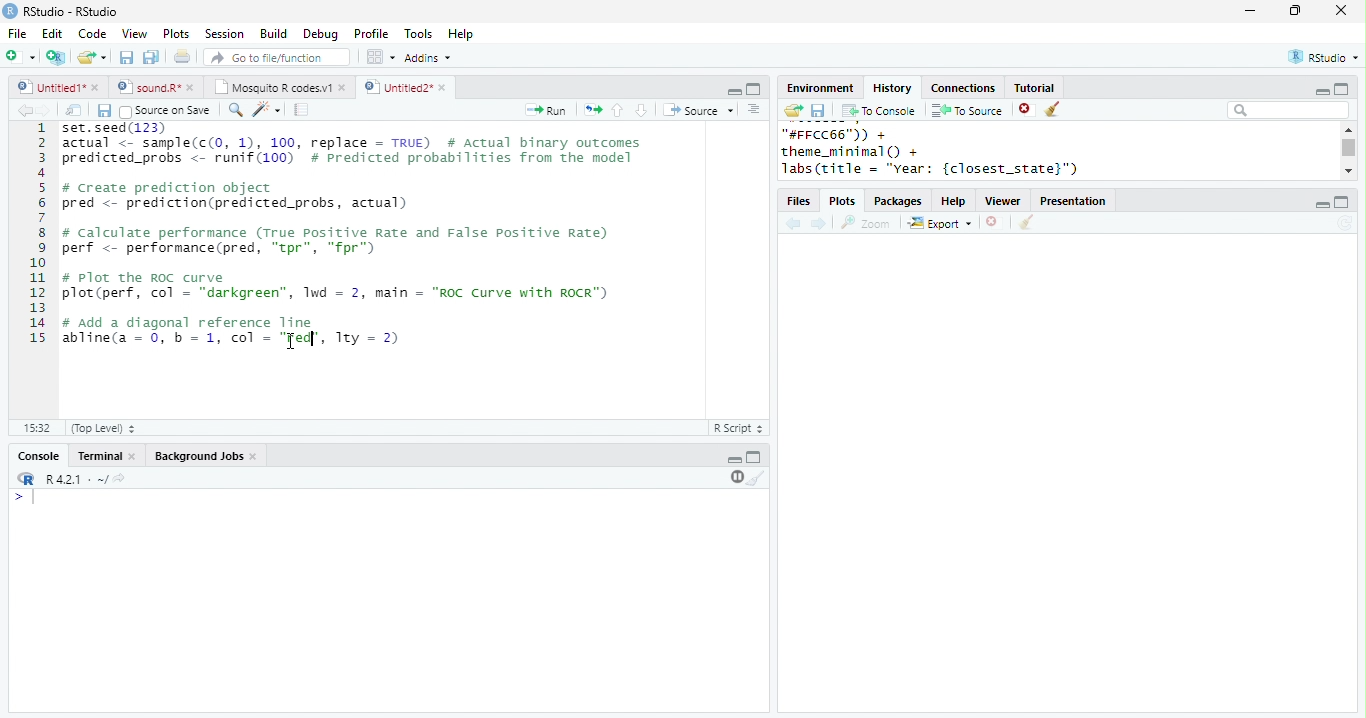 The width and height of the screenshot is (1366, 718). I want to click on console, so click(37, 457).